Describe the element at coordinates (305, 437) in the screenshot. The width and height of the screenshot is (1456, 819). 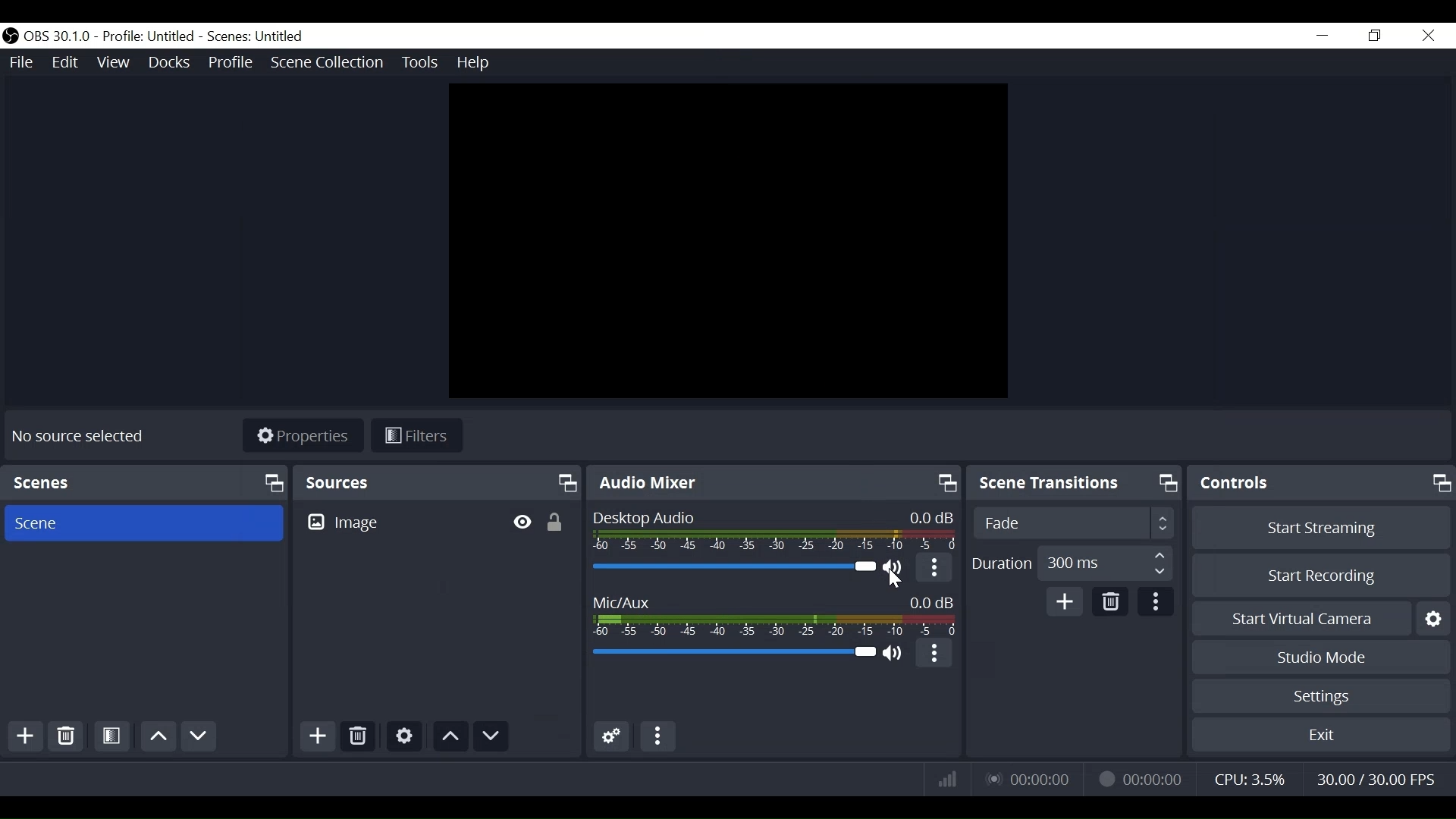
I see `Properties` at that location.